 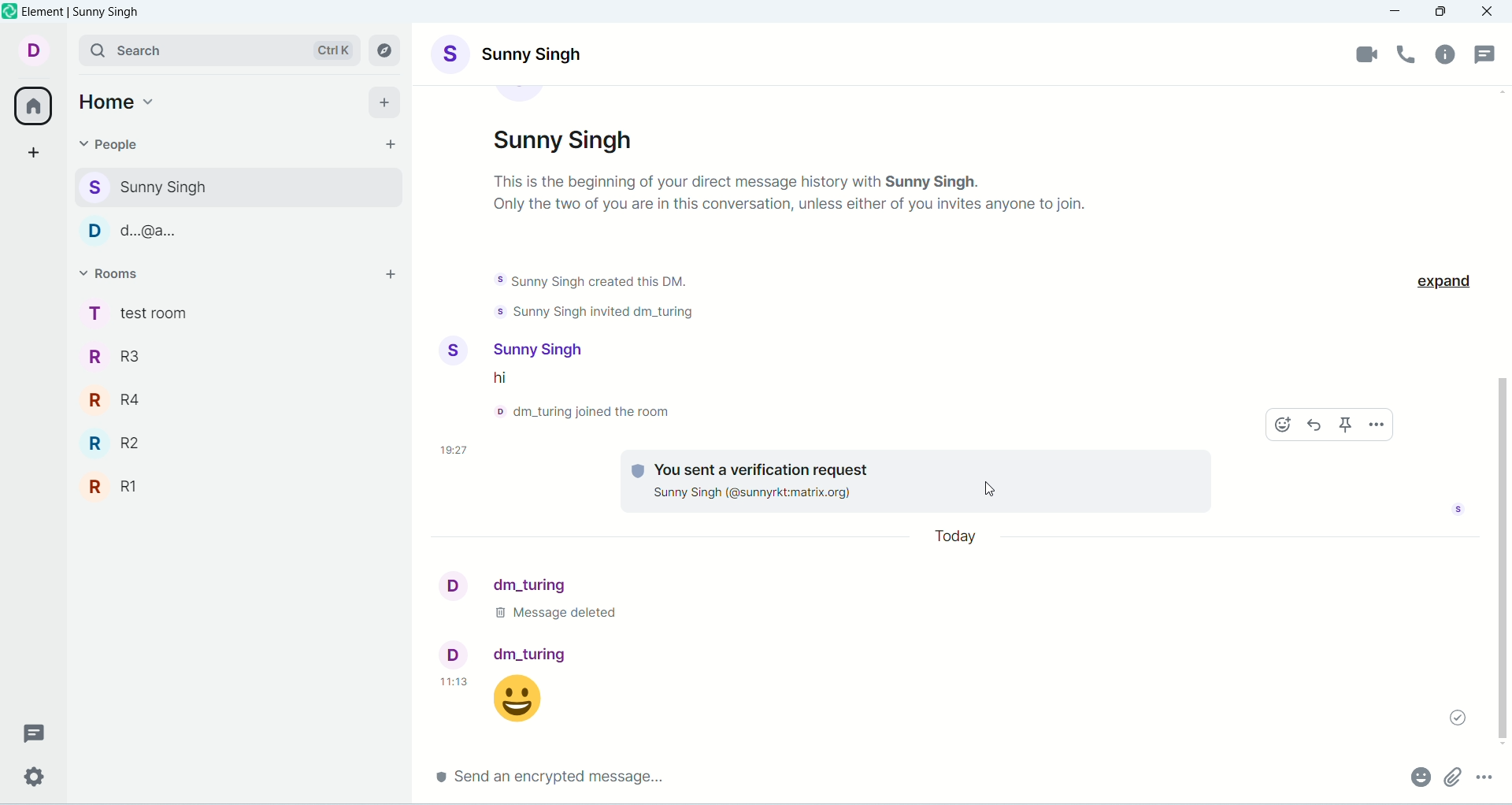 I want to click on test room, so click(x=237, y=312).